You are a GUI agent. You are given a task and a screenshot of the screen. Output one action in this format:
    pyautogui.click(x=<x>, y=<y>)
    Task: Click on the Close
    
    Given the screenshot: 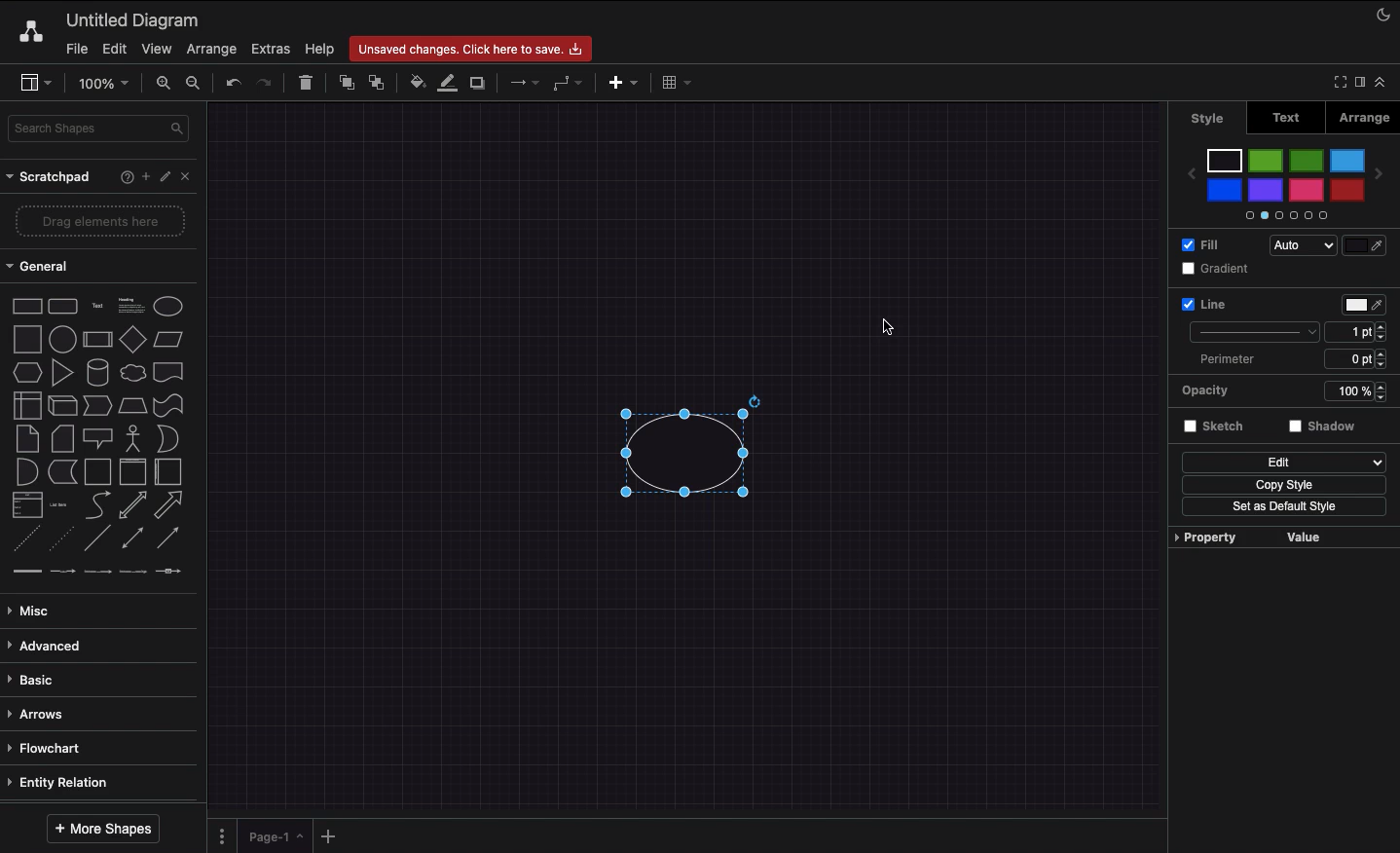 What is the action you would take?
    pyautogui.click(x=191, y=175)
    